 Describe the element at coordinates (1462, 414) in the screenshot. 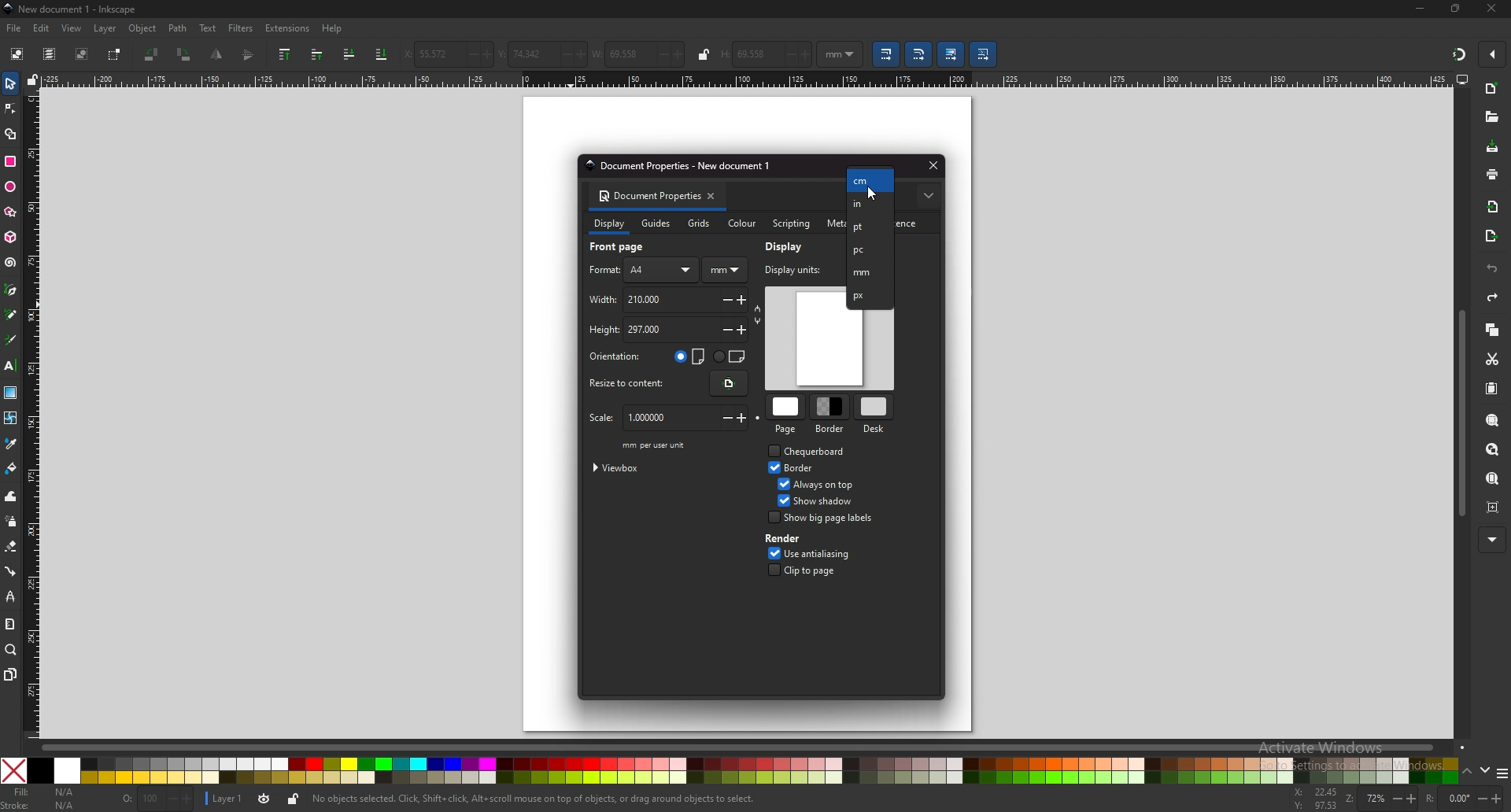

I see `scroll bar` at that location.